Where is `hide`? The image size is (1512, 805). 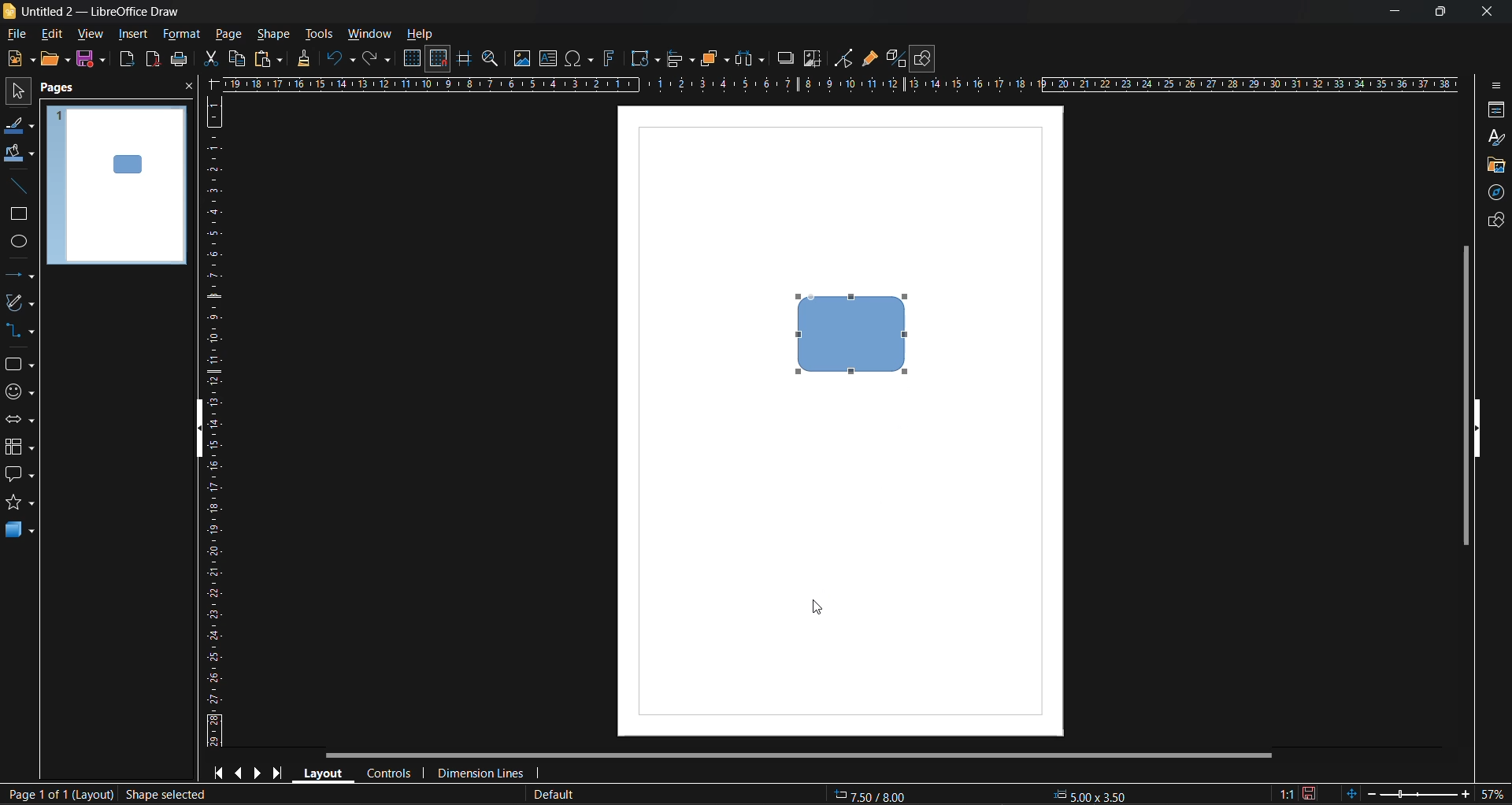 hide is located at coordinates (1477, 429).